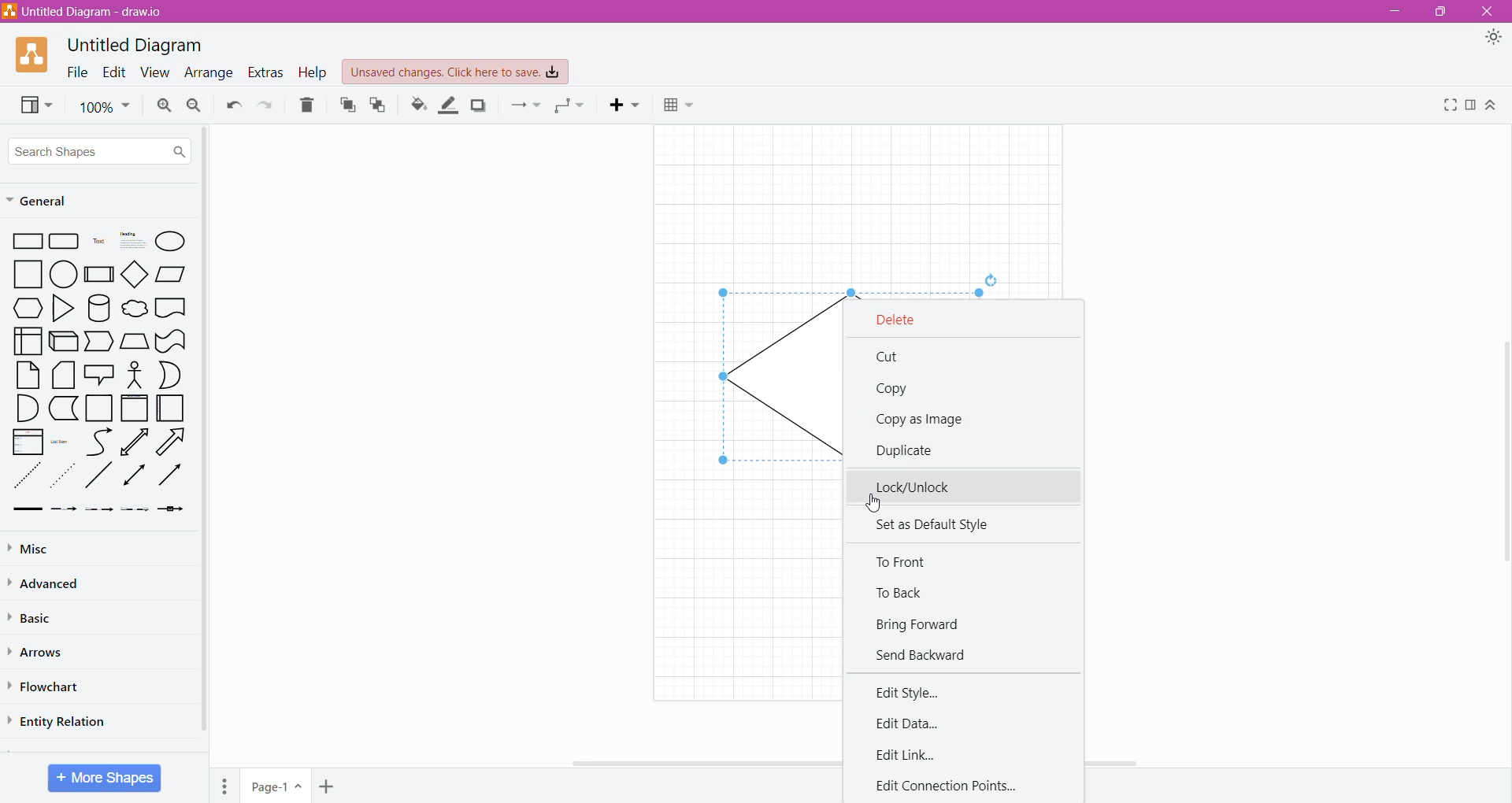  I want to click on Edit Style, so click(913, 692).